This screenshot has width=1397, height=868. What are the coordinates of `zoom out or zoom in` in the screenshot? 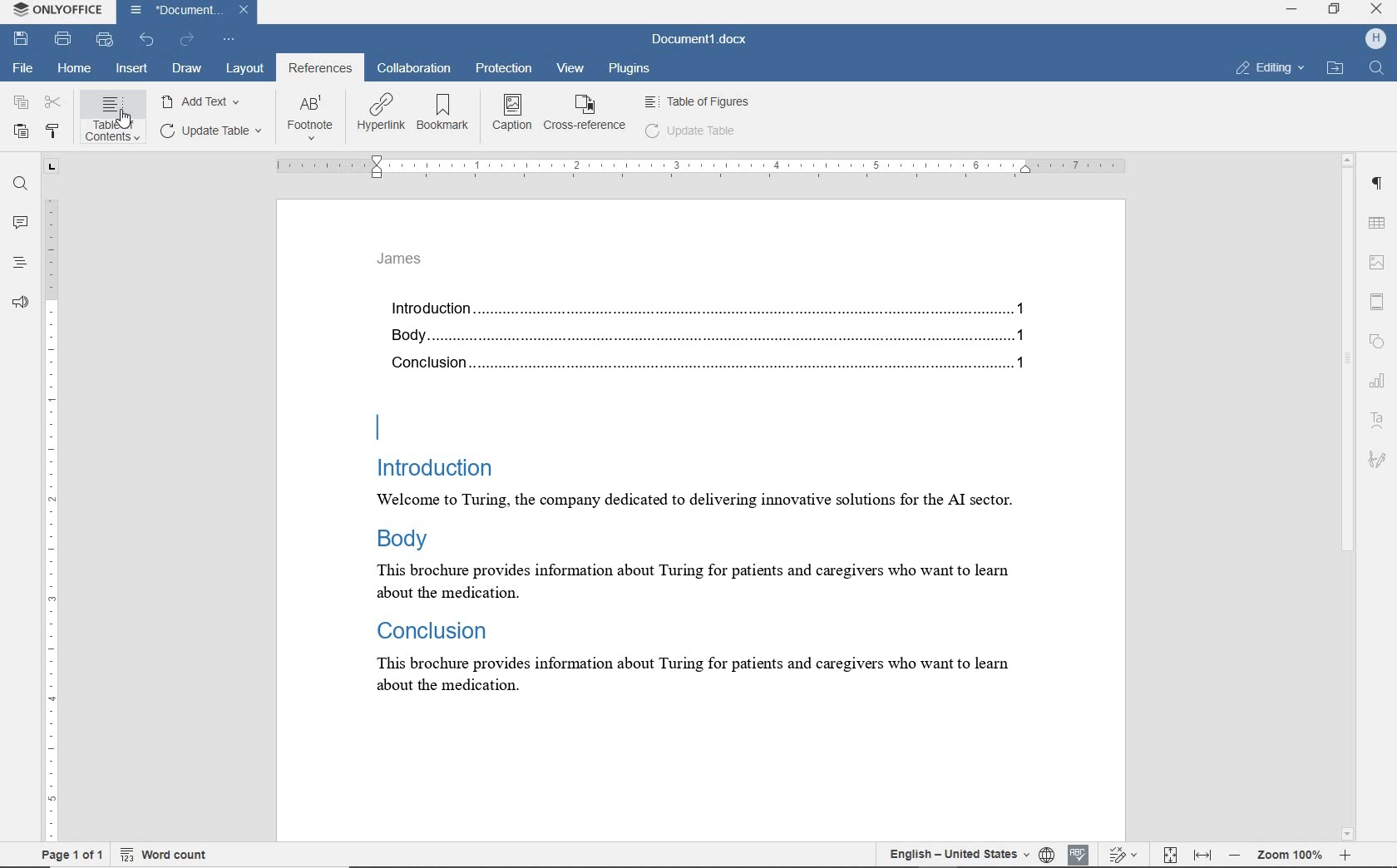 It's located at (1288, 854).